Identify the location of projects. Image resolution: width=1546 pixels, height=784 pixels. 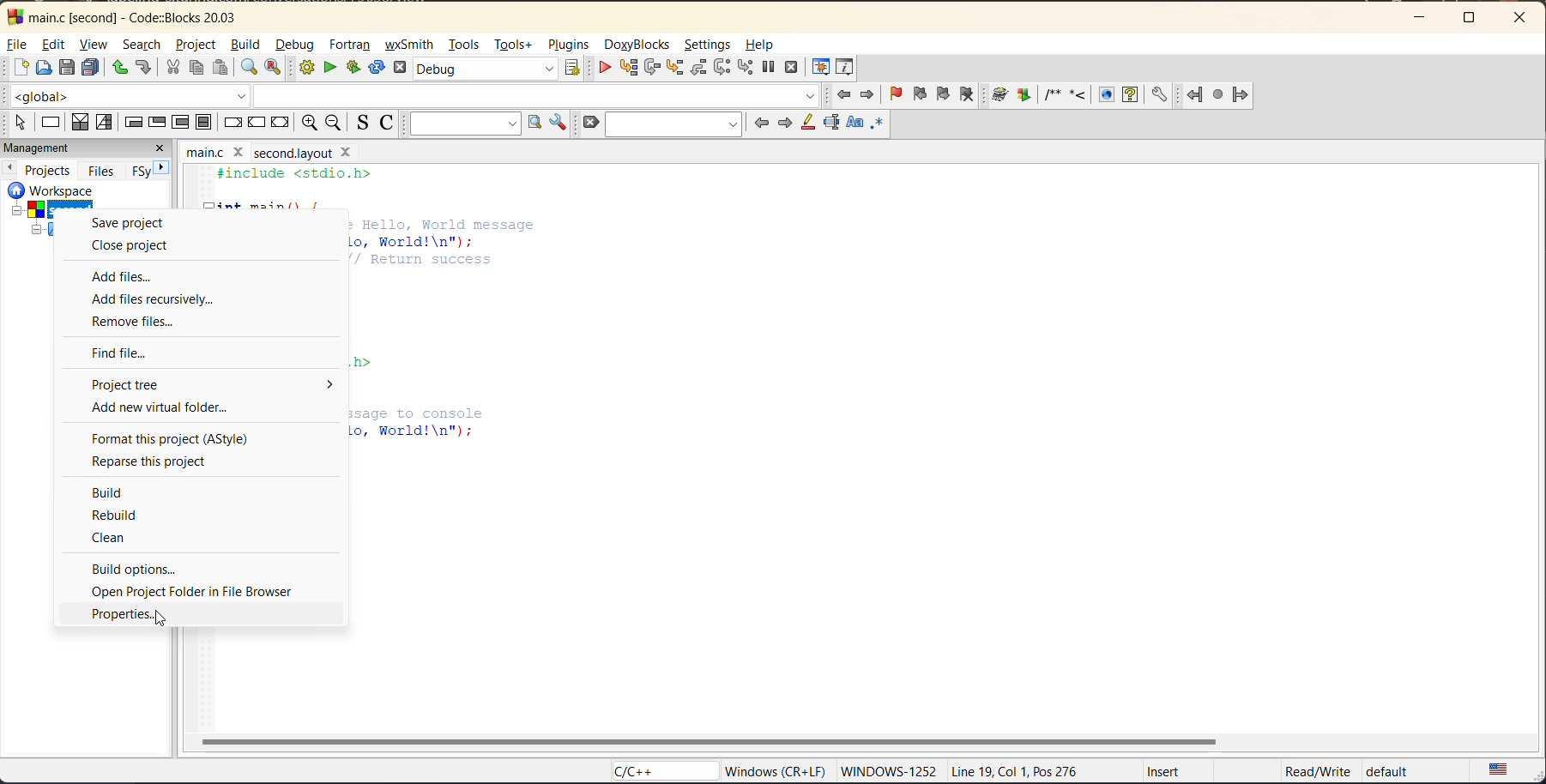
(46, 169).